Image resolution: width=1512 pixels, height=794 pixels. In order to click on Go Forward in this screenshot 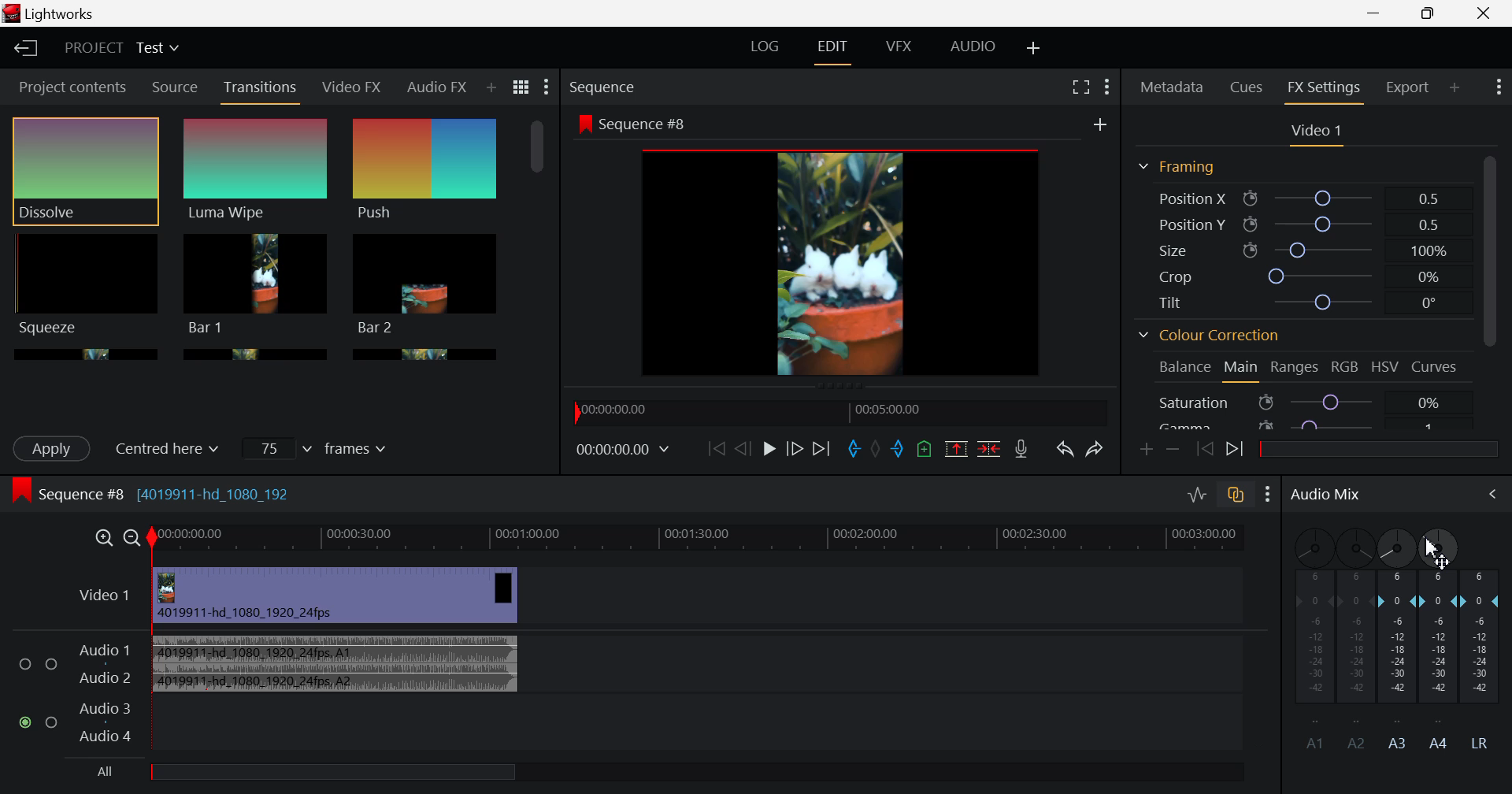, I will do `click(795, 448)`.